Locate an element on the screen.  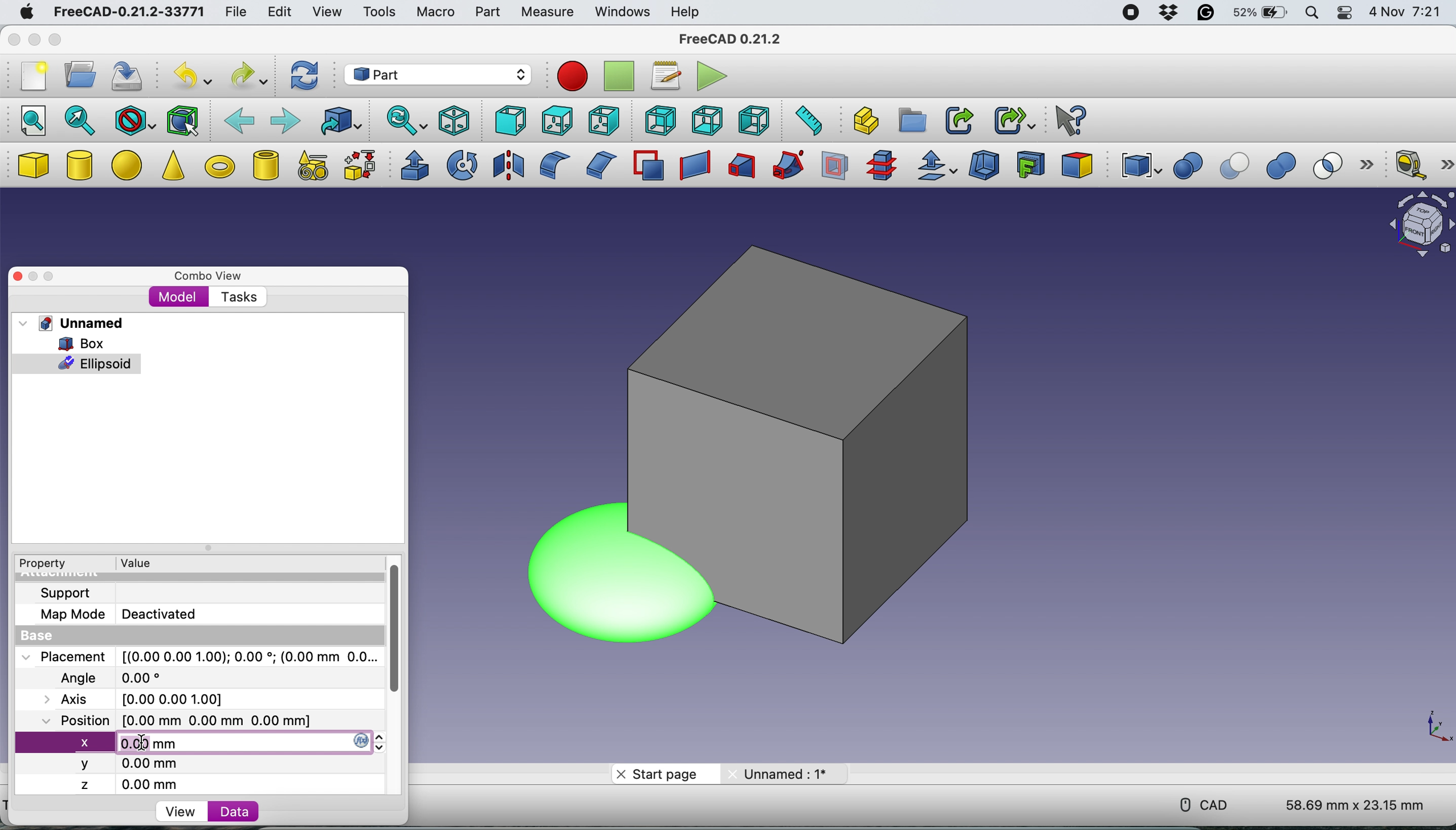
execute macros is located at coordinates (710, 78).